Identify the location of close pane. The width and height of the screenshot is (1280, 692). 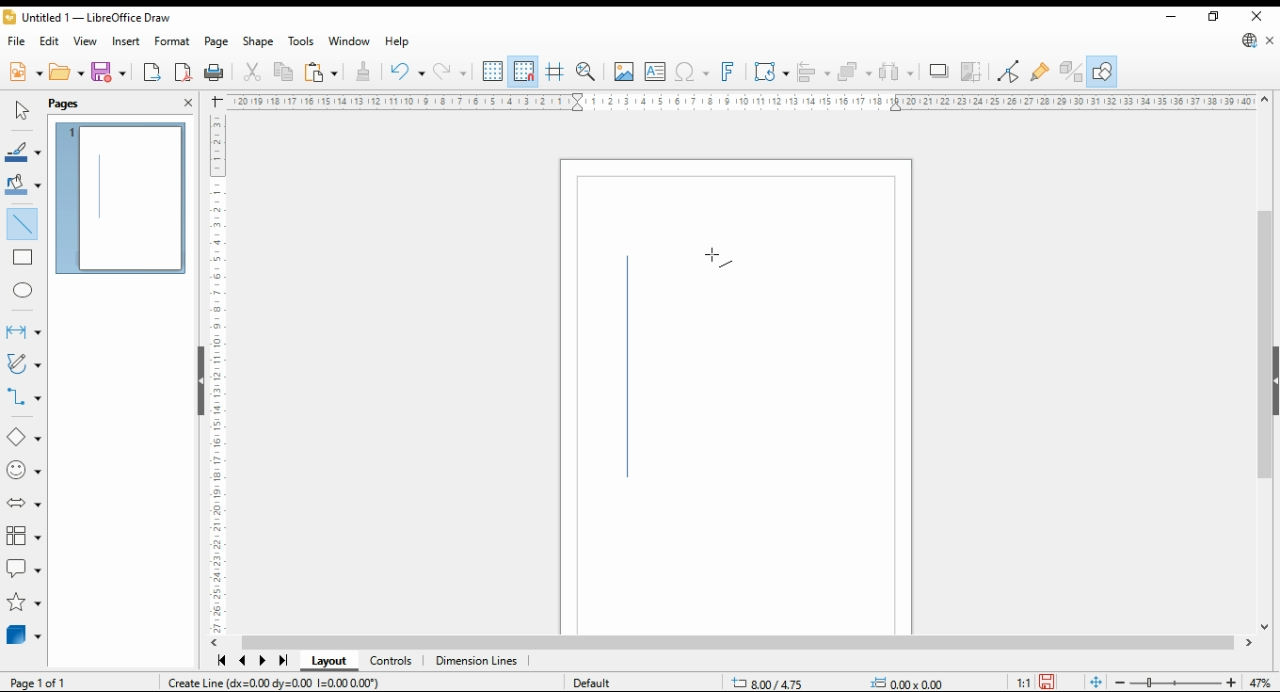
(187, 101).